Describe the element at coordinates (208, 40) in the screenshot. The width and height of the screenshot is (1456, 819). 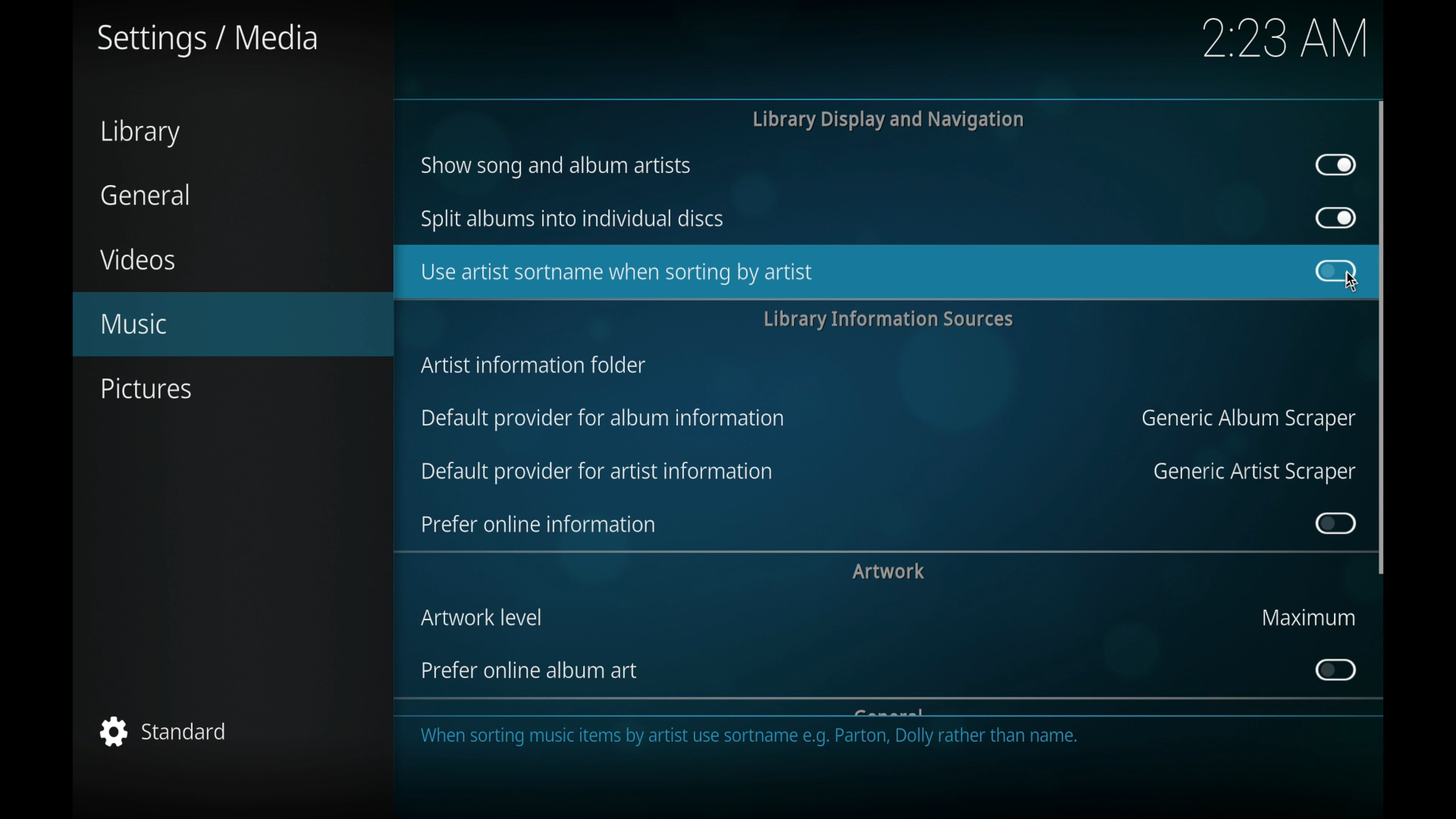
I see `settings/media` at that location.